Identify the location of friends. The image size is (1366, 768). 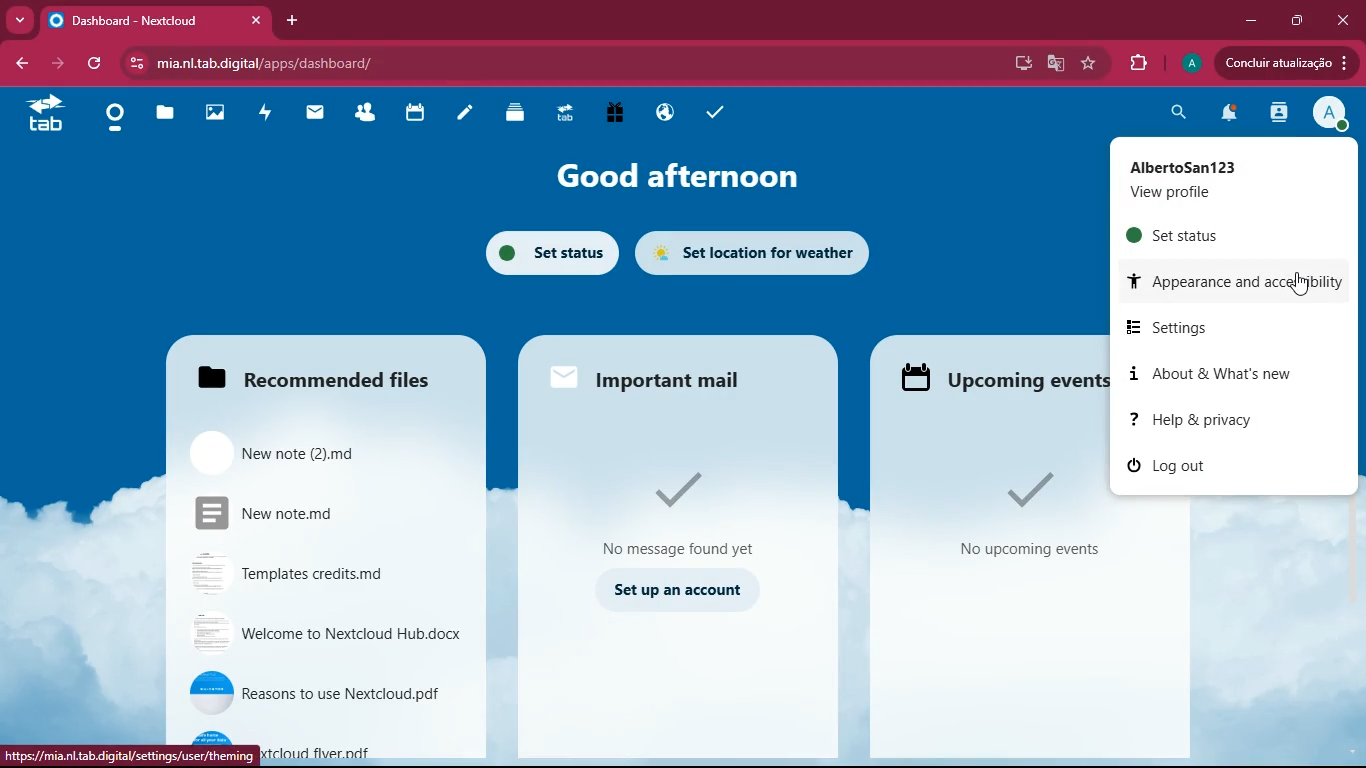
(371, 113).